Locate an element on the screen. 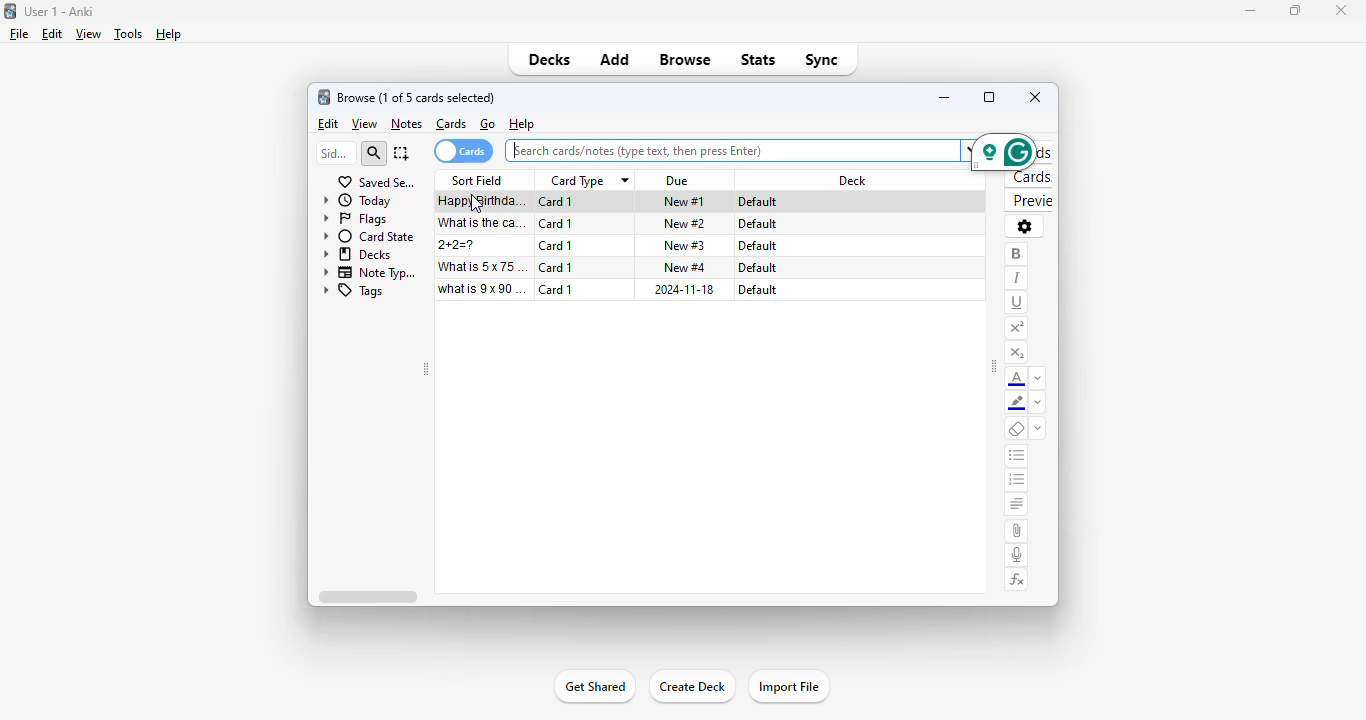 The width and height of the screenshot is (1366, 720). add is located at coordinates (616, 60).